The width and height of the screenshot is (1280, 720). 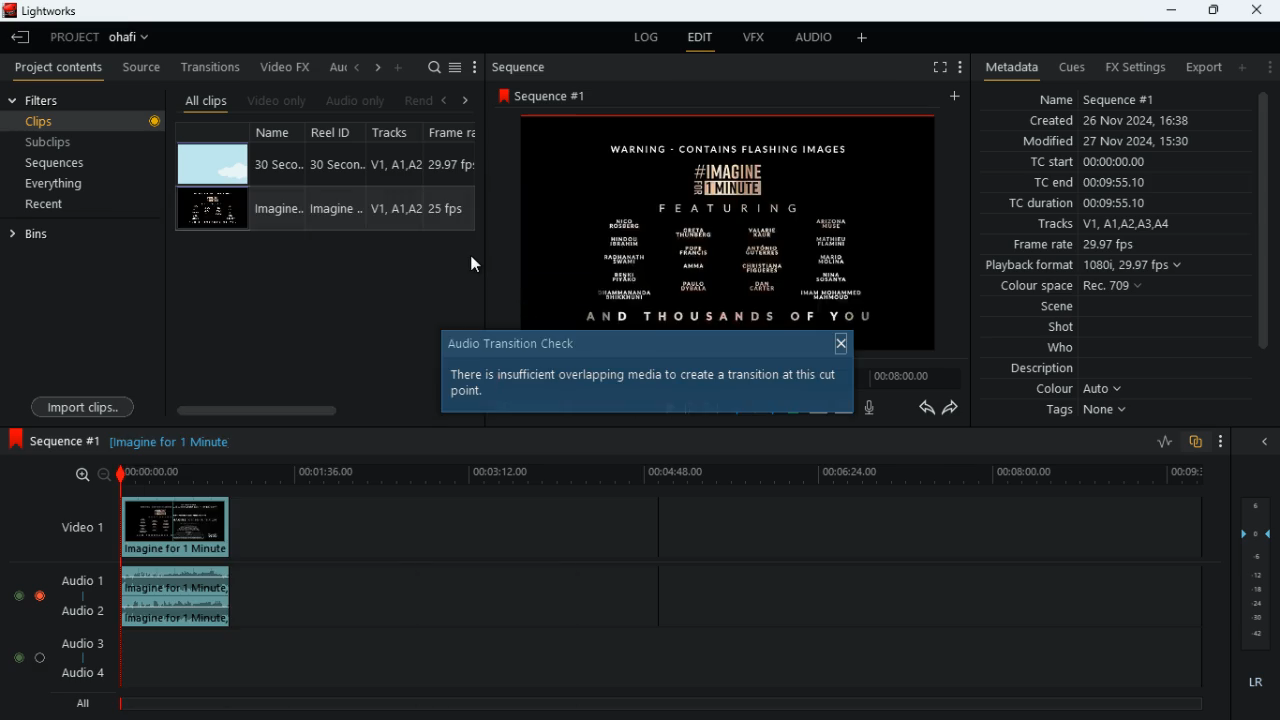 What do you see at coordinates (53, 440) in the screenshot?
I see `sequence` at bounding box center [53, 440].